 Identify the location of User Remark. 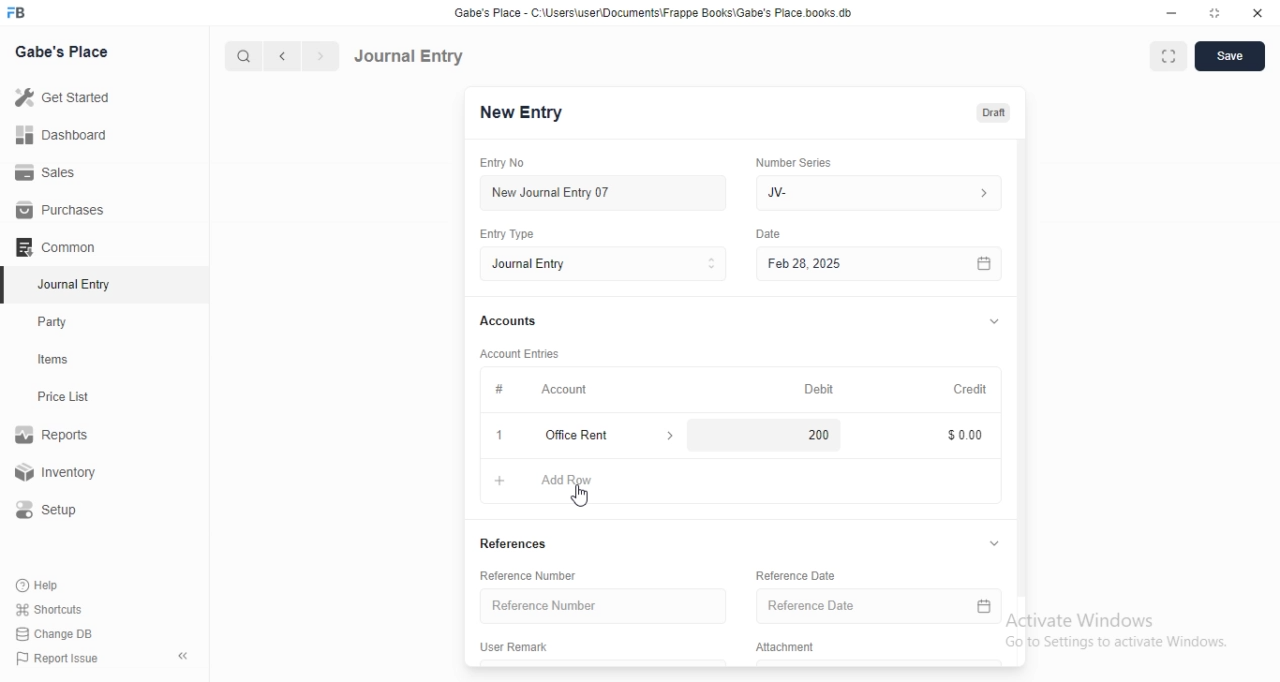
(517, 649).